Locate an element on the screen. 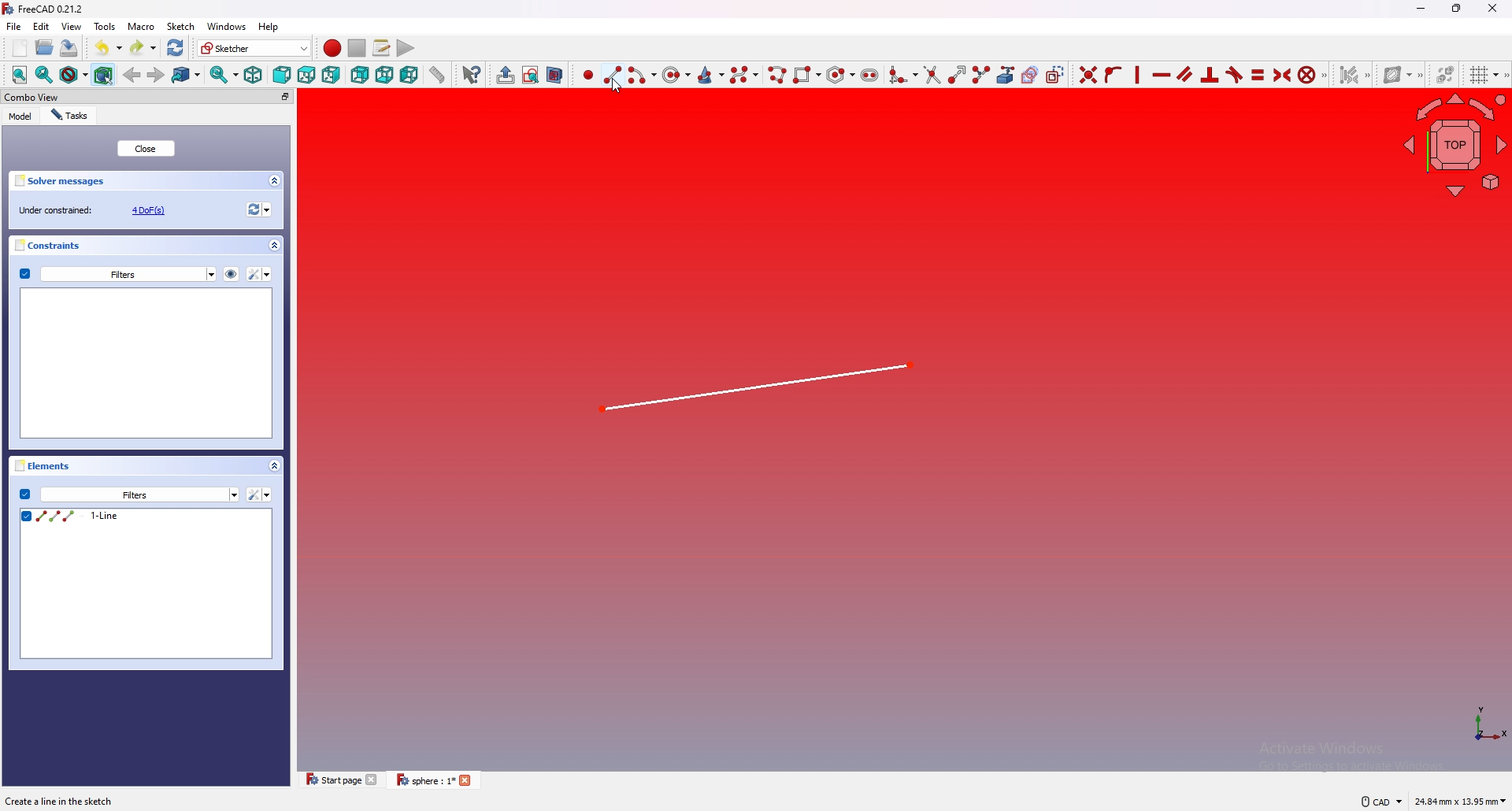  Trim edge is located at coordinates (931, 75).